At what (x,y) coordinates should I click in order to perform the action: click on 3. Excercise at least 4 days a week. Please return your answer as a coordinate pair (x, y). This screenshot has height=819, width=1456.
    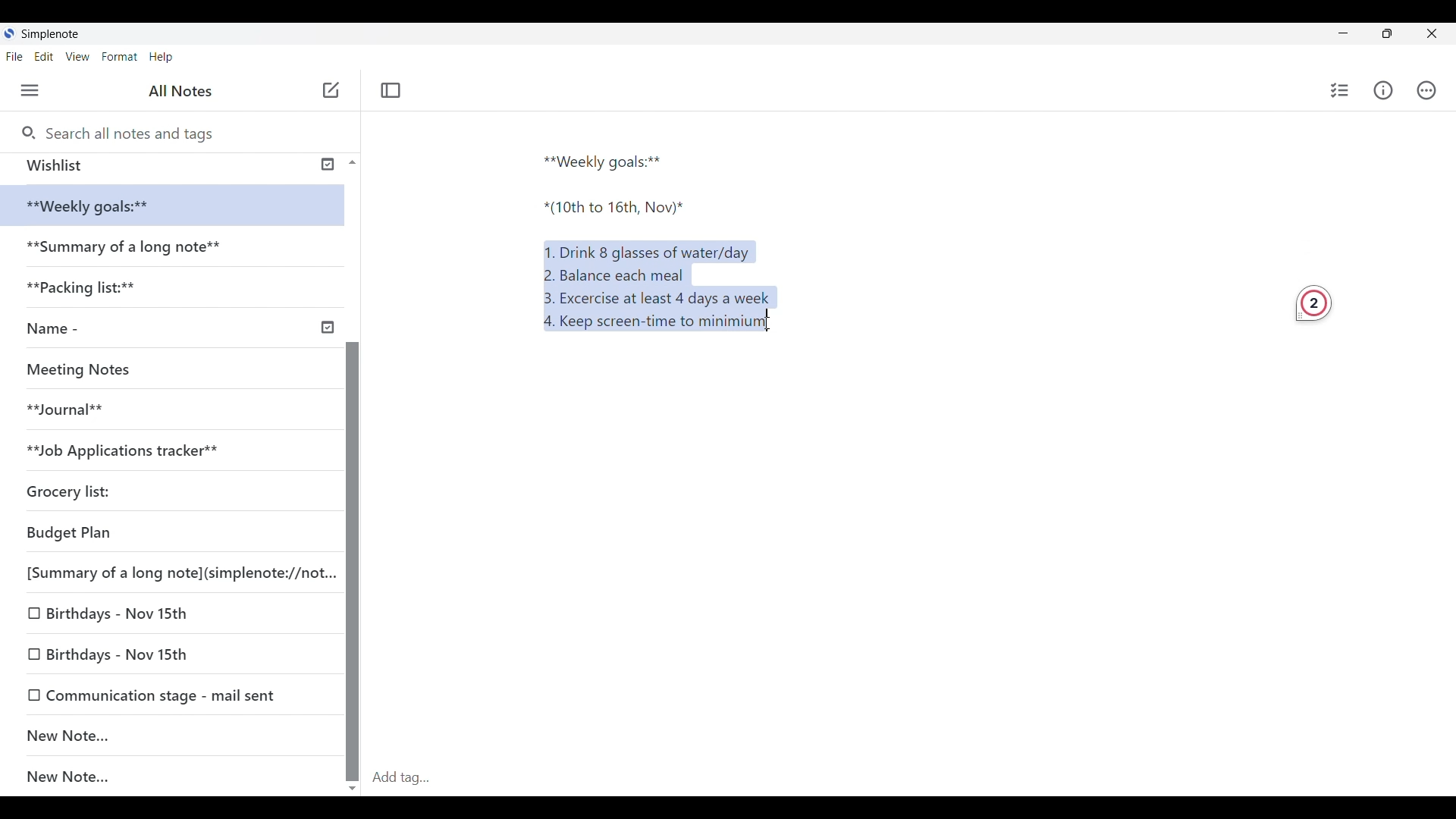
    Looking at the image, I should click on (663, 298).